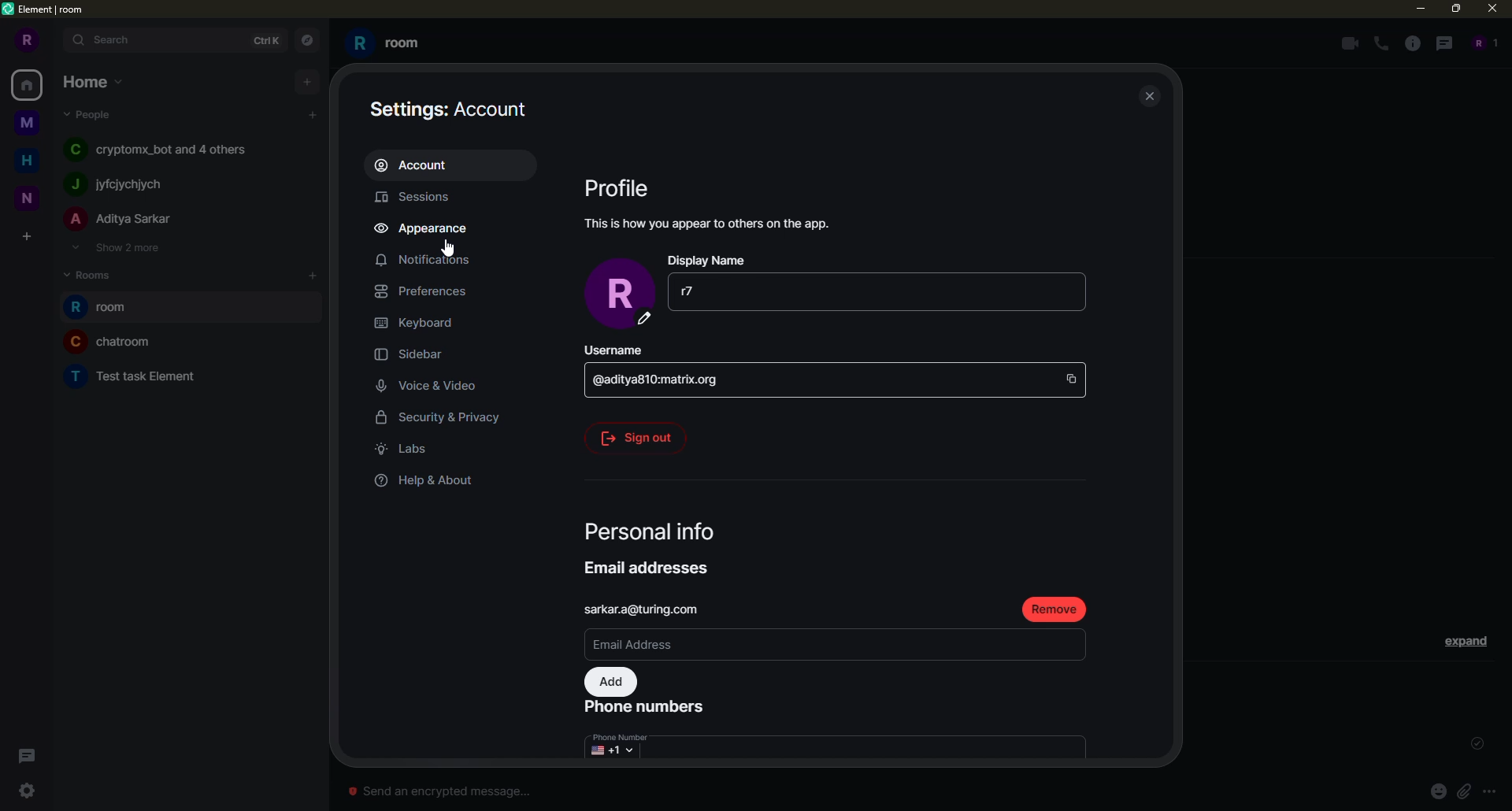 The image size is (1512, 811). I want to click on appearance, so click(428, 229).